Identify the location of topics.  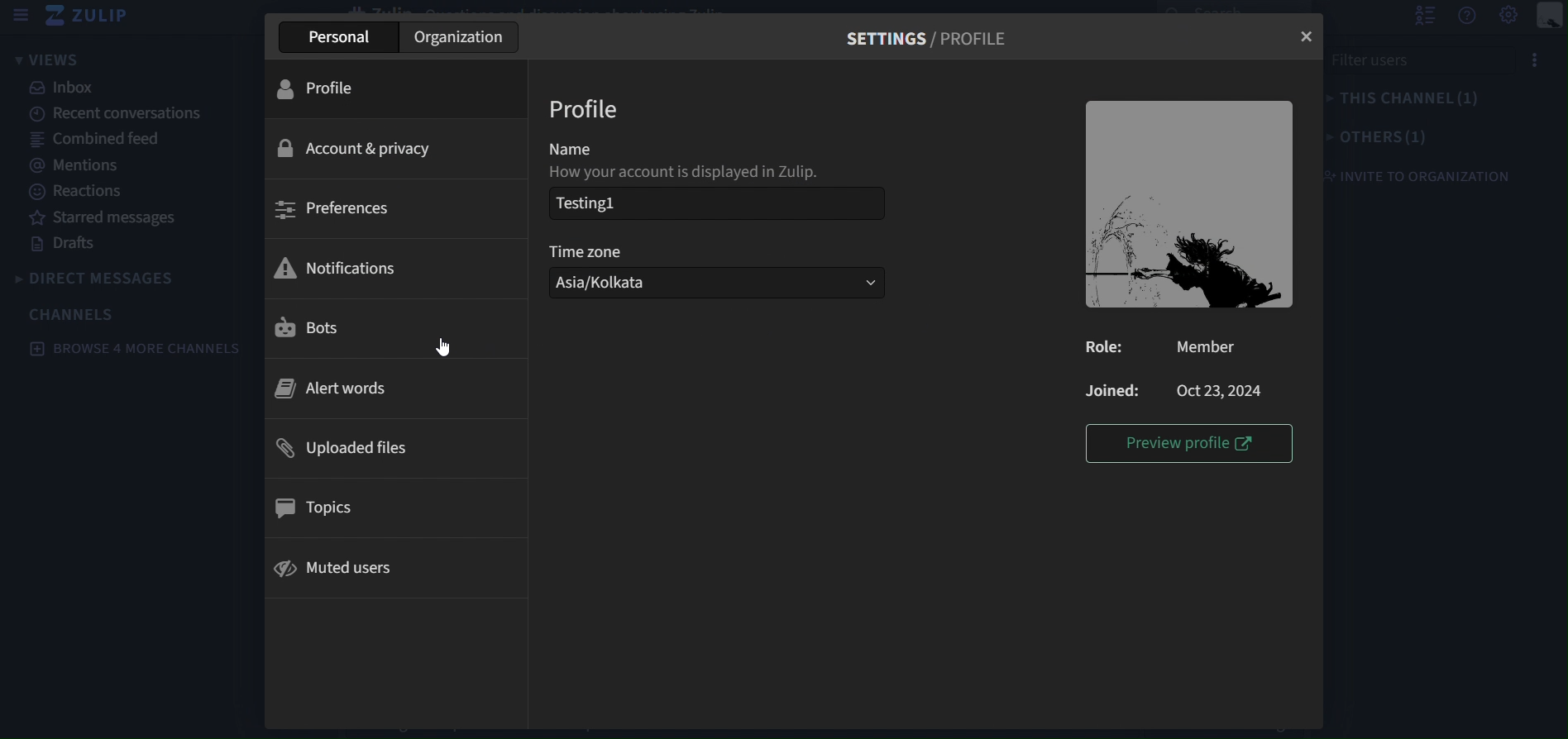
(385, 508).